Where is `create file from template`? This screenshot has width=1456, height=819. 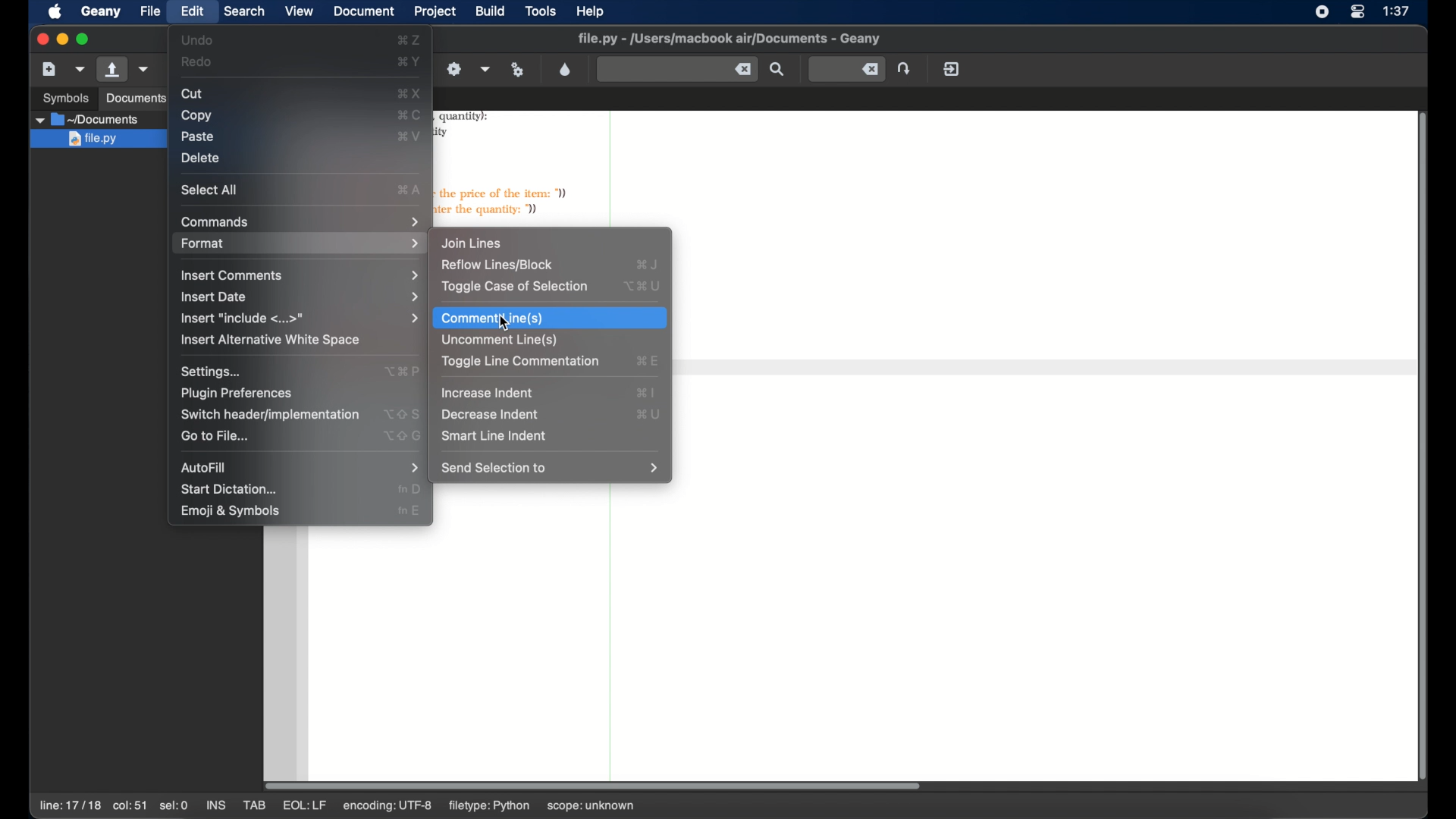
create file from template is located at coordinates (80, 69).